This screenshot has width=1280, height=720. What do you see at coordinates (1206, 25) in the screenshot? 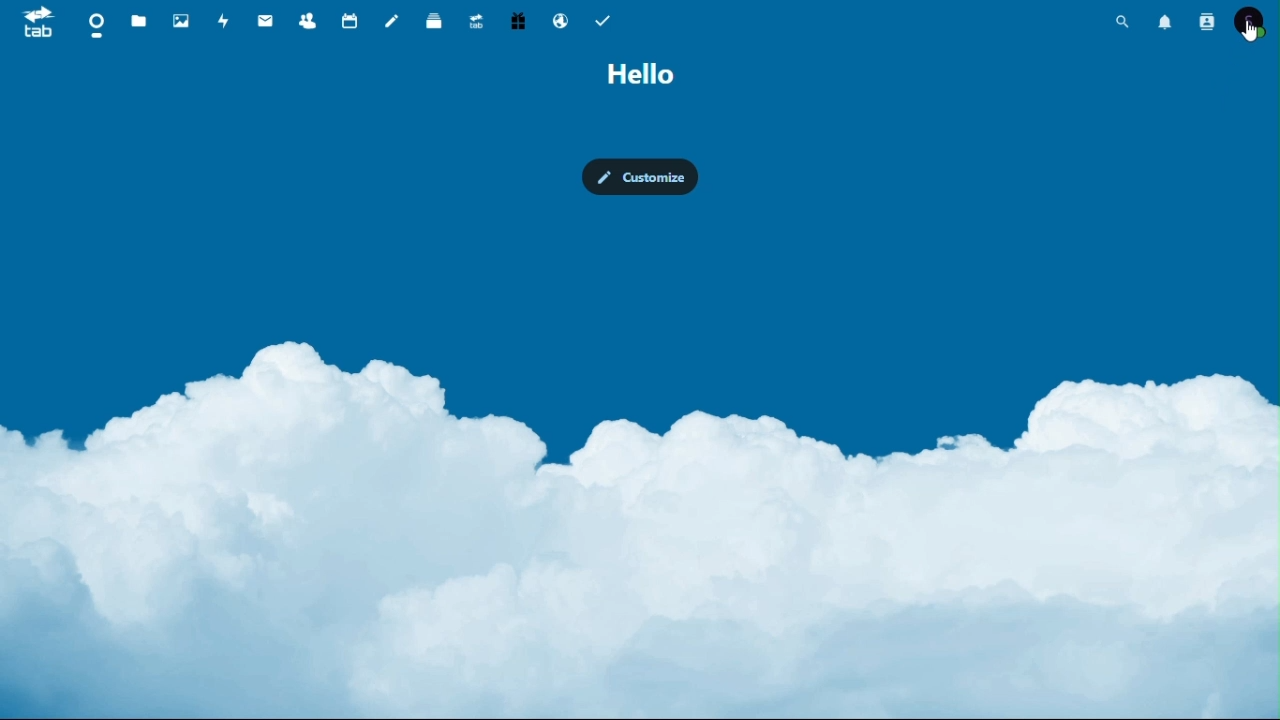
I see `Contacts` at bounding box center [1206, 25].